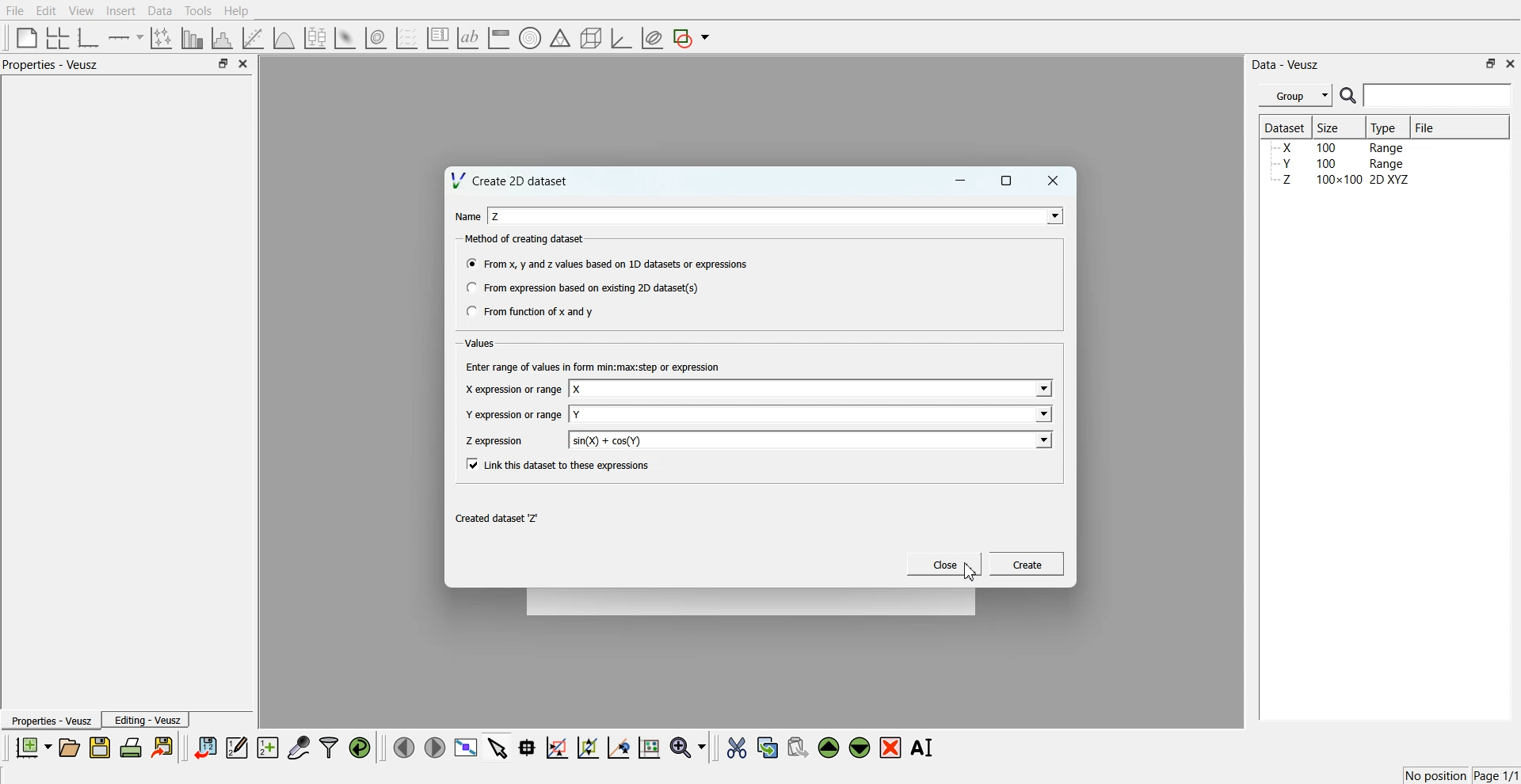  I want to click on No position Page 1/1, so click(1461, 775).